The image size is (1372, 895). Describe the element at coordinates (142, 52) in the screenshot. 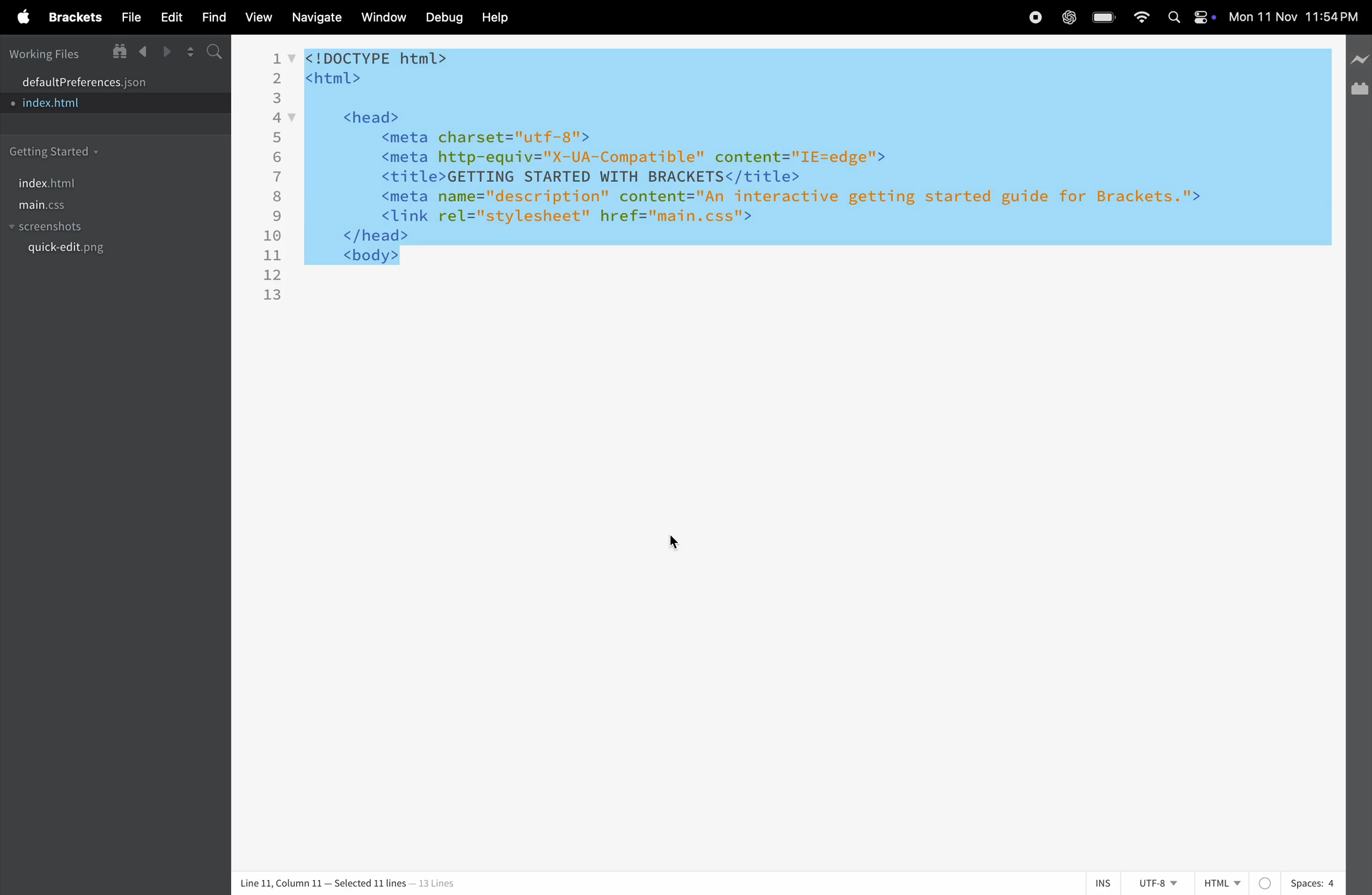

I see `backward` at that location.